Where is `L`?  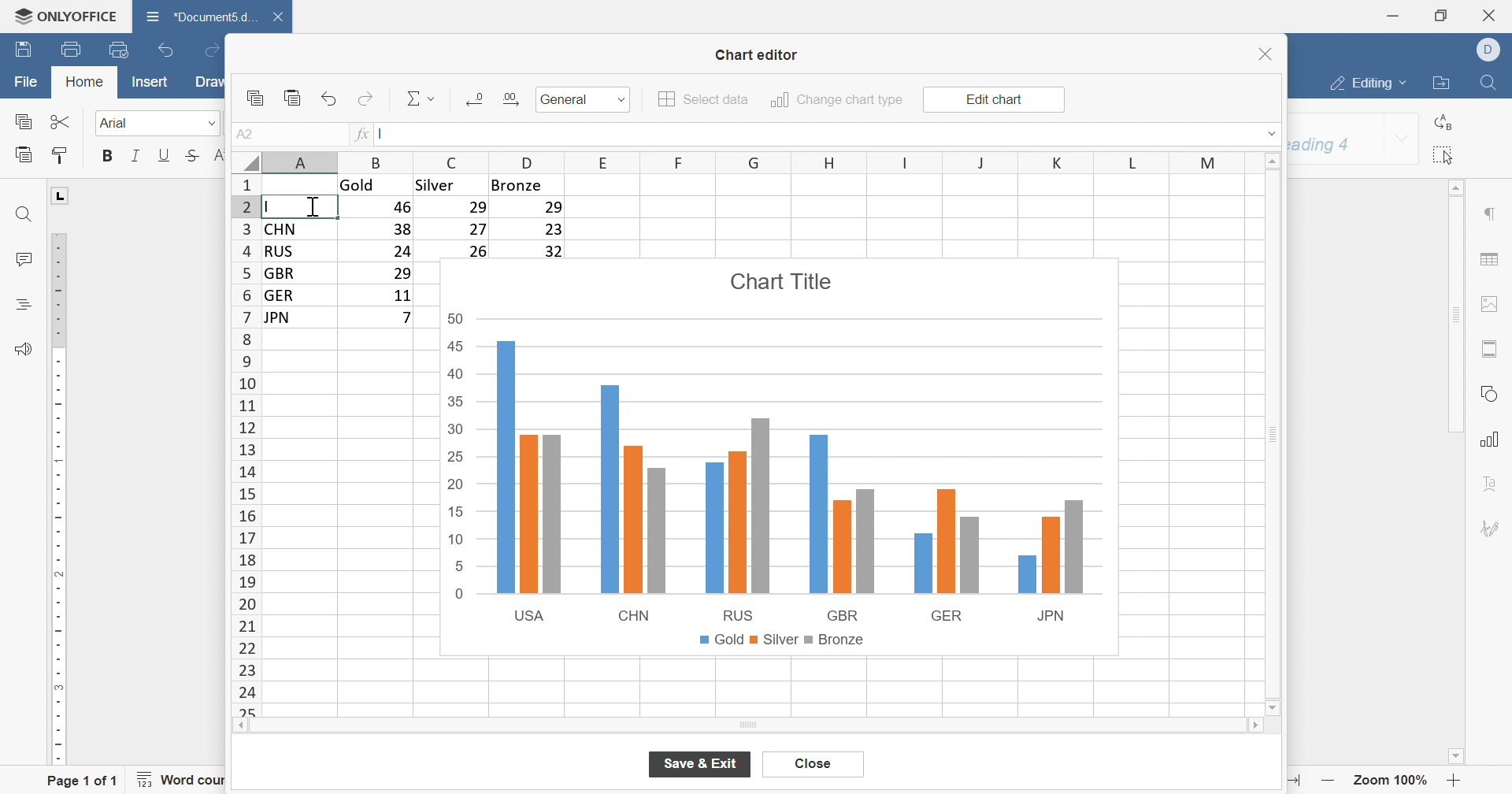 L is located at coordinates (61, 194).